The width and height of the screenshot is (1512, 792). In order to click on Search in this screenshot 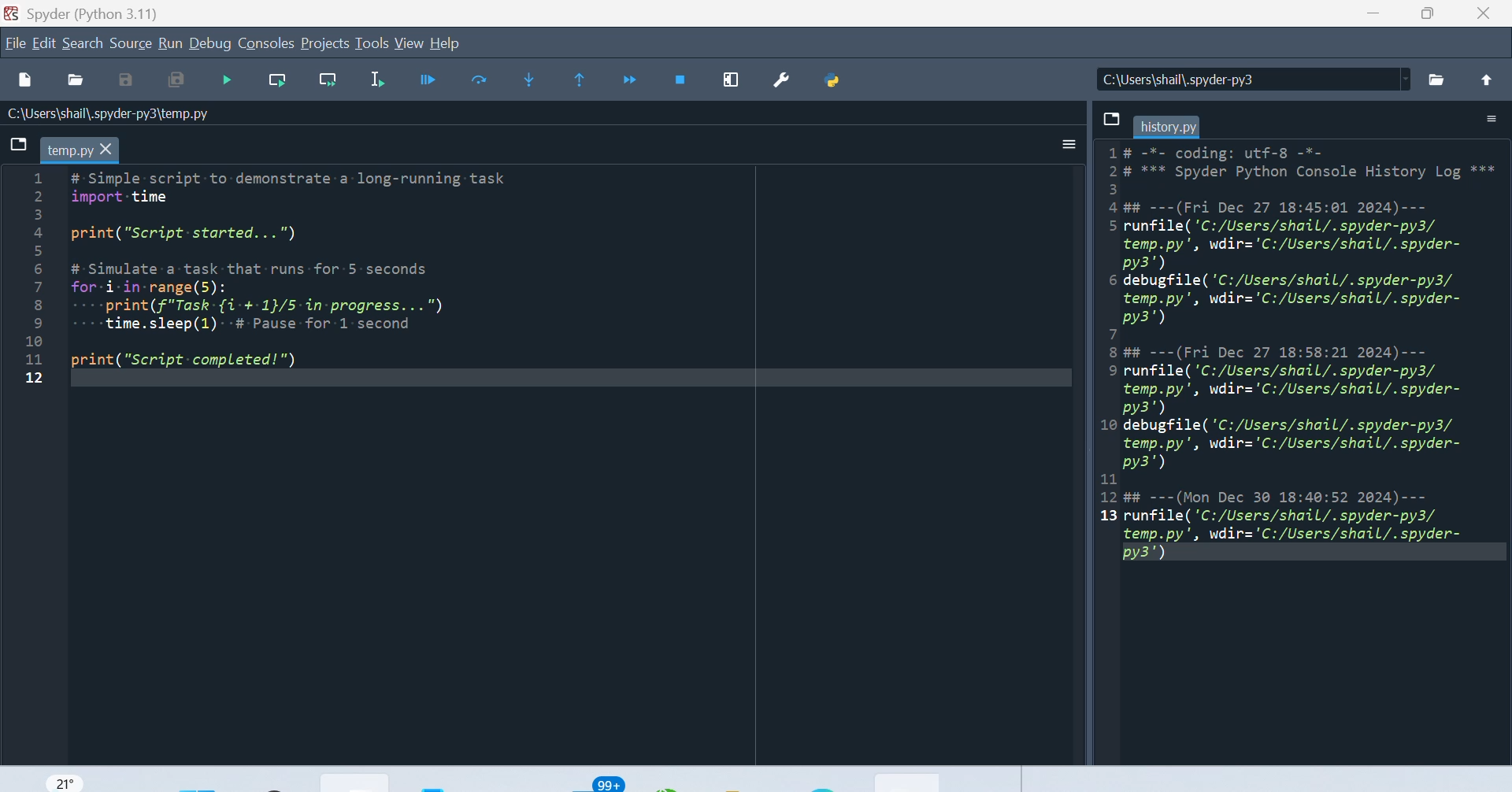, I will do `click(81, 45)`.